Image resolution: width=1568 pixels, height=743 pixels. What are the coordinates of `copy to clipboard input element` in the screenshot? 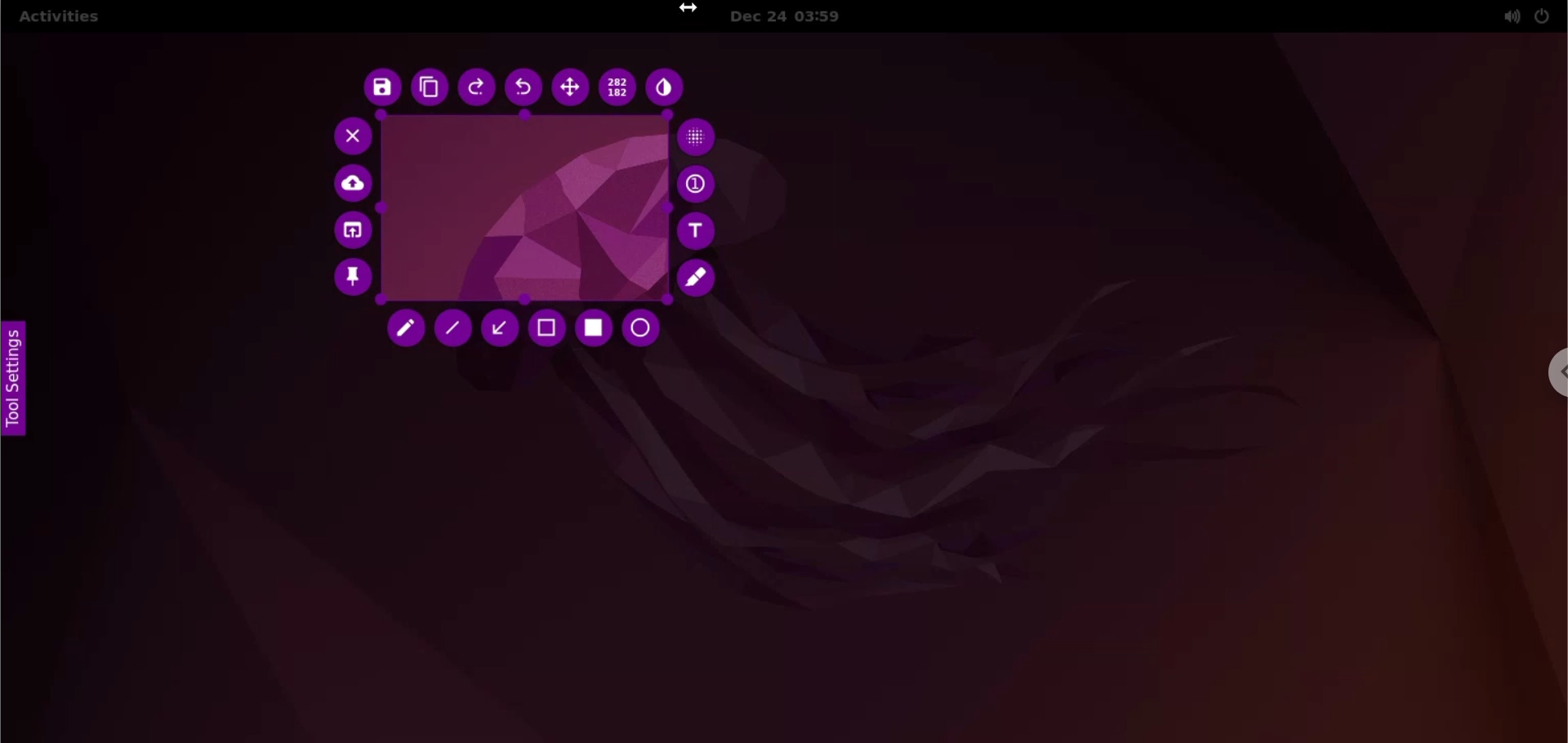 It's located at (430, 88).